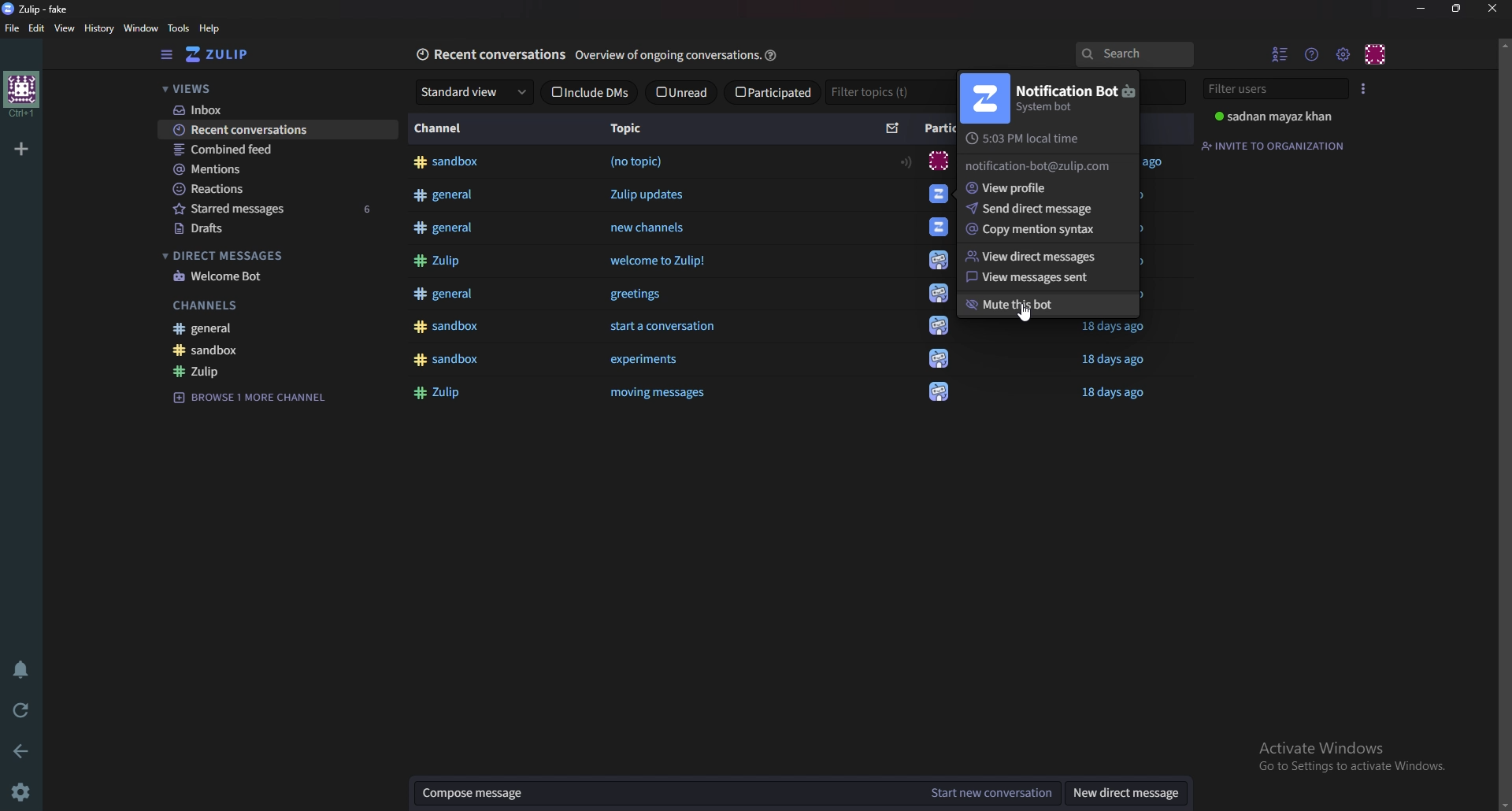 The image size is (1512, 811). What do you see at coordinates (1039, 306) in the screenshot?
I see `mute this bot` at bounding box center [1039, 306].